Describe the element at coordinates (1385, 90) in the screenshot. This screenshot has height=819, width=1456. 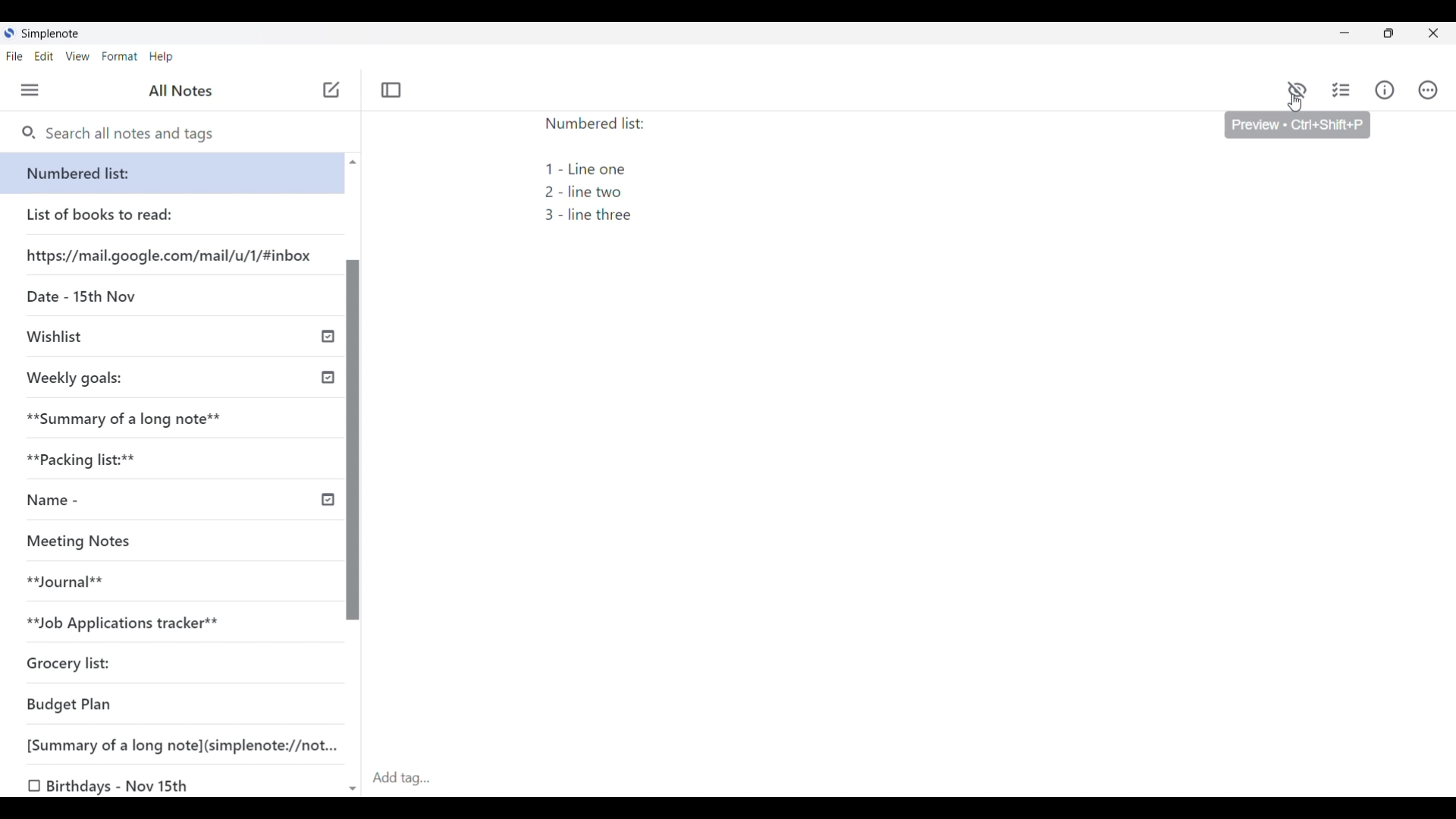
I see `Info` at that location.